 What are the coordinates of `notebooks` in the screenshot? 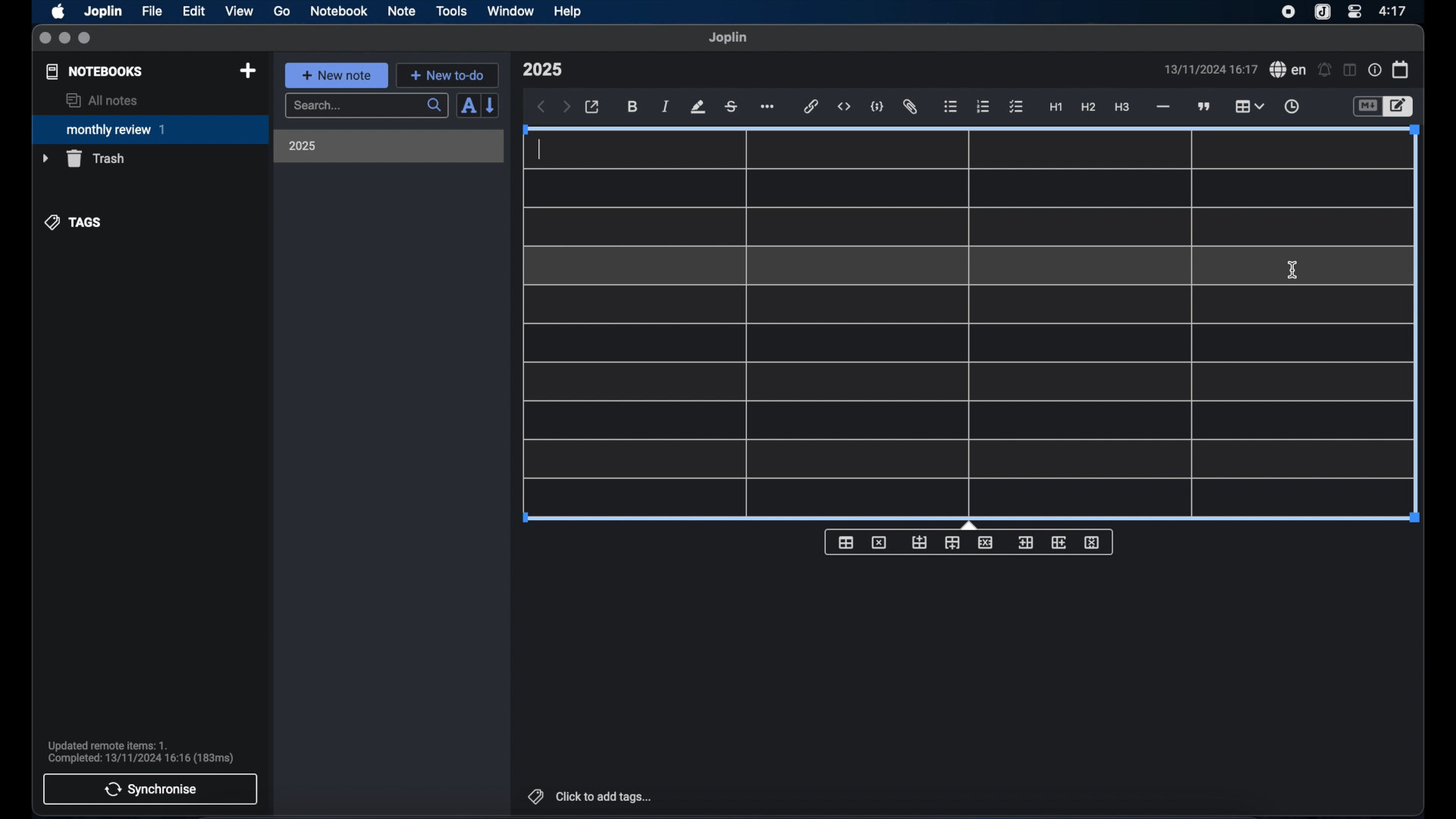 It's located at (95, 71).